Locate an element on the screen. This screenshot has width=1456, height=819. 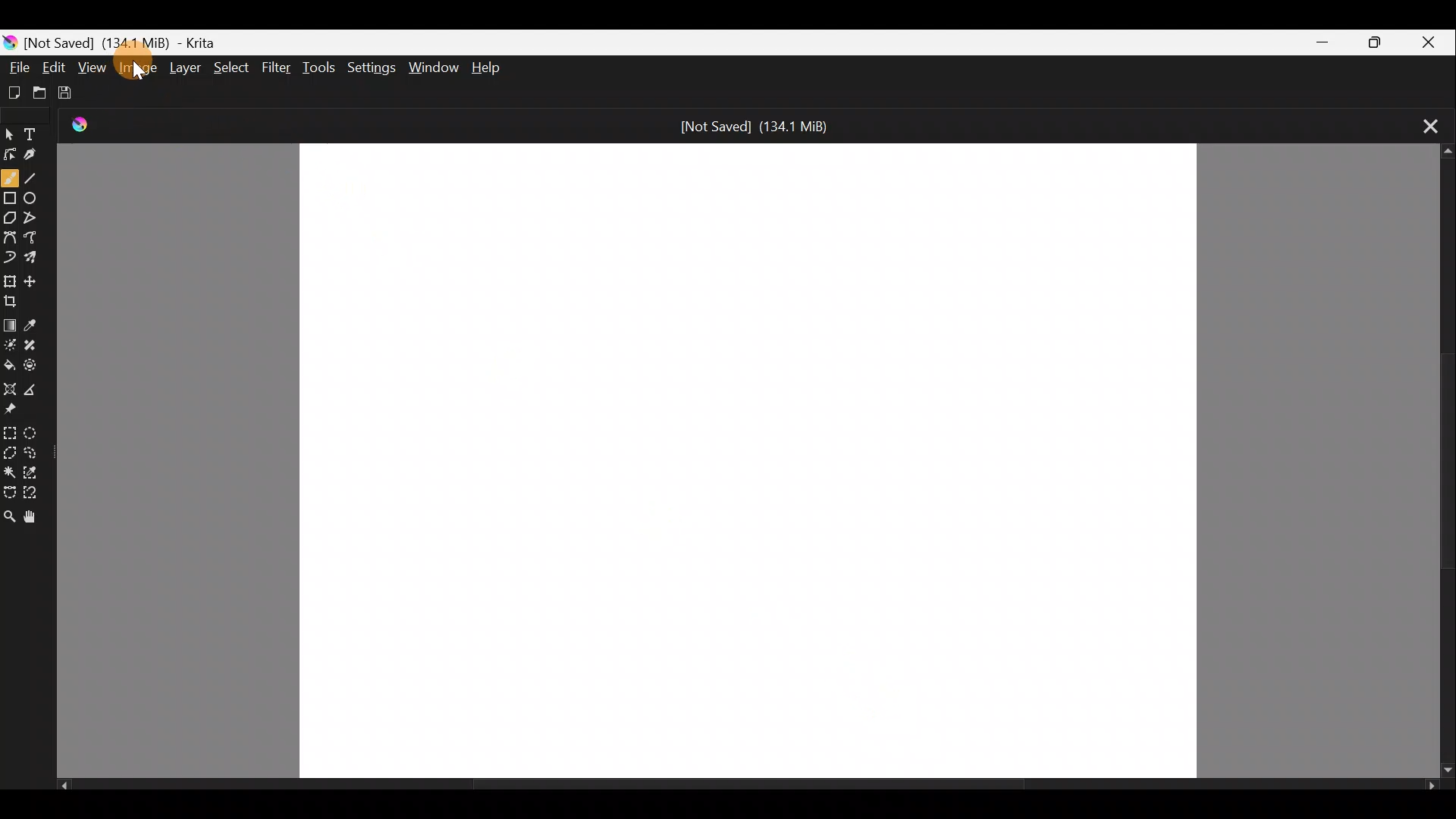
Select is located at coordinates (232, 67).